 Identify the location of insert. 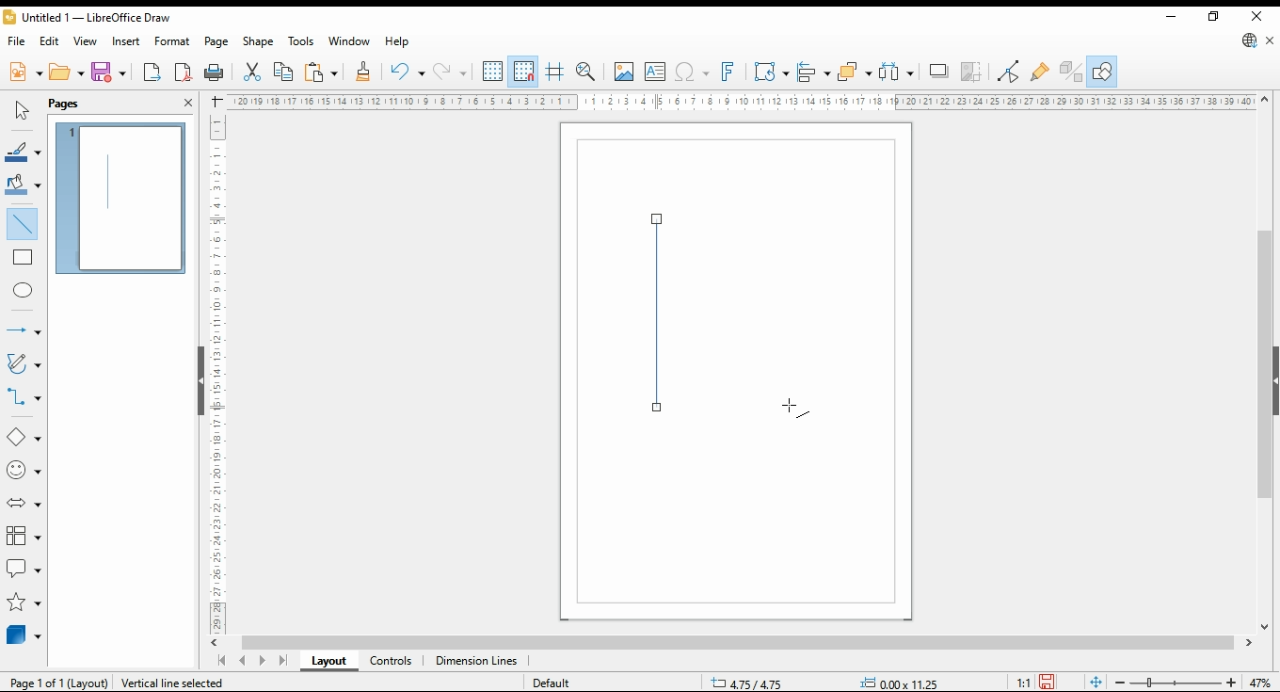
(126, 41).